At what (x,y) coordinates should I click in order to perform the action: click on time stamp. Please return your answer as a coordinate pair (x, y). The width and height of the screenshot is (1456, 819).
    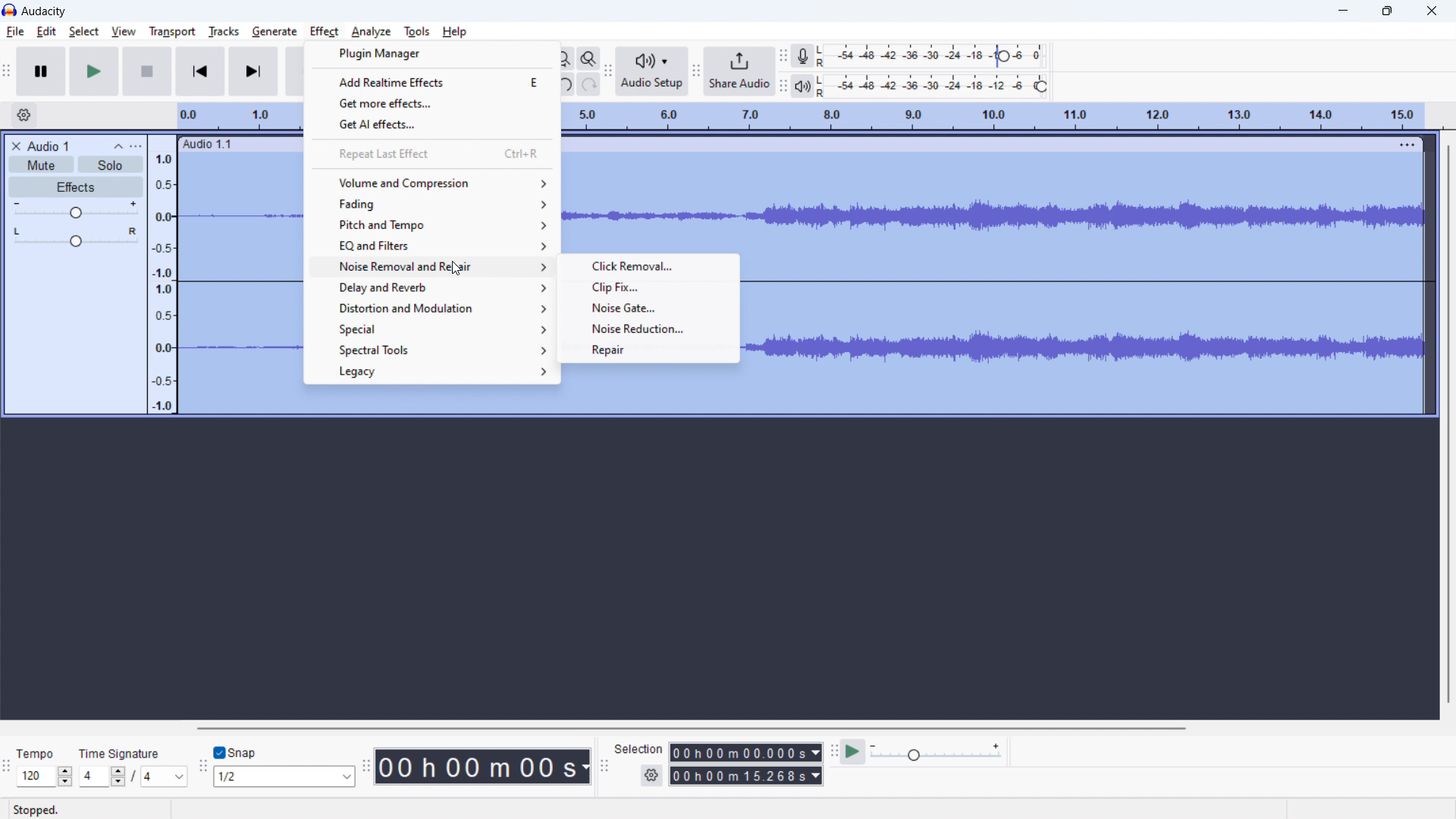
    Looking at the image, I should click on (482, 767).